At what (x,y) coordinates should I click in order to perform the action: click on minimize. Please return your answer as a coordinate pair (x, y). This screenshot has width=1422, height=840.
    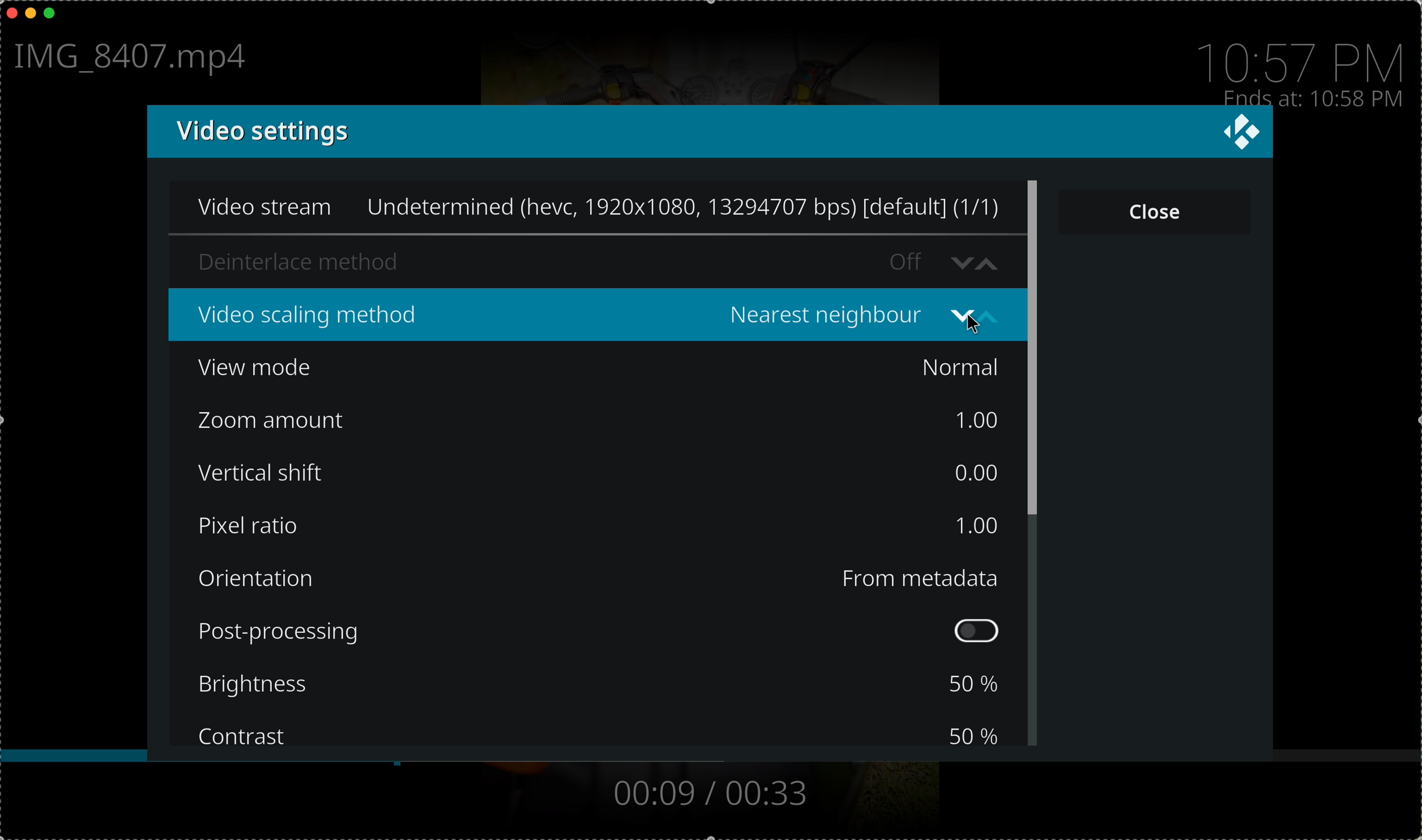
    Looking at the image, I should click on (31, 16).